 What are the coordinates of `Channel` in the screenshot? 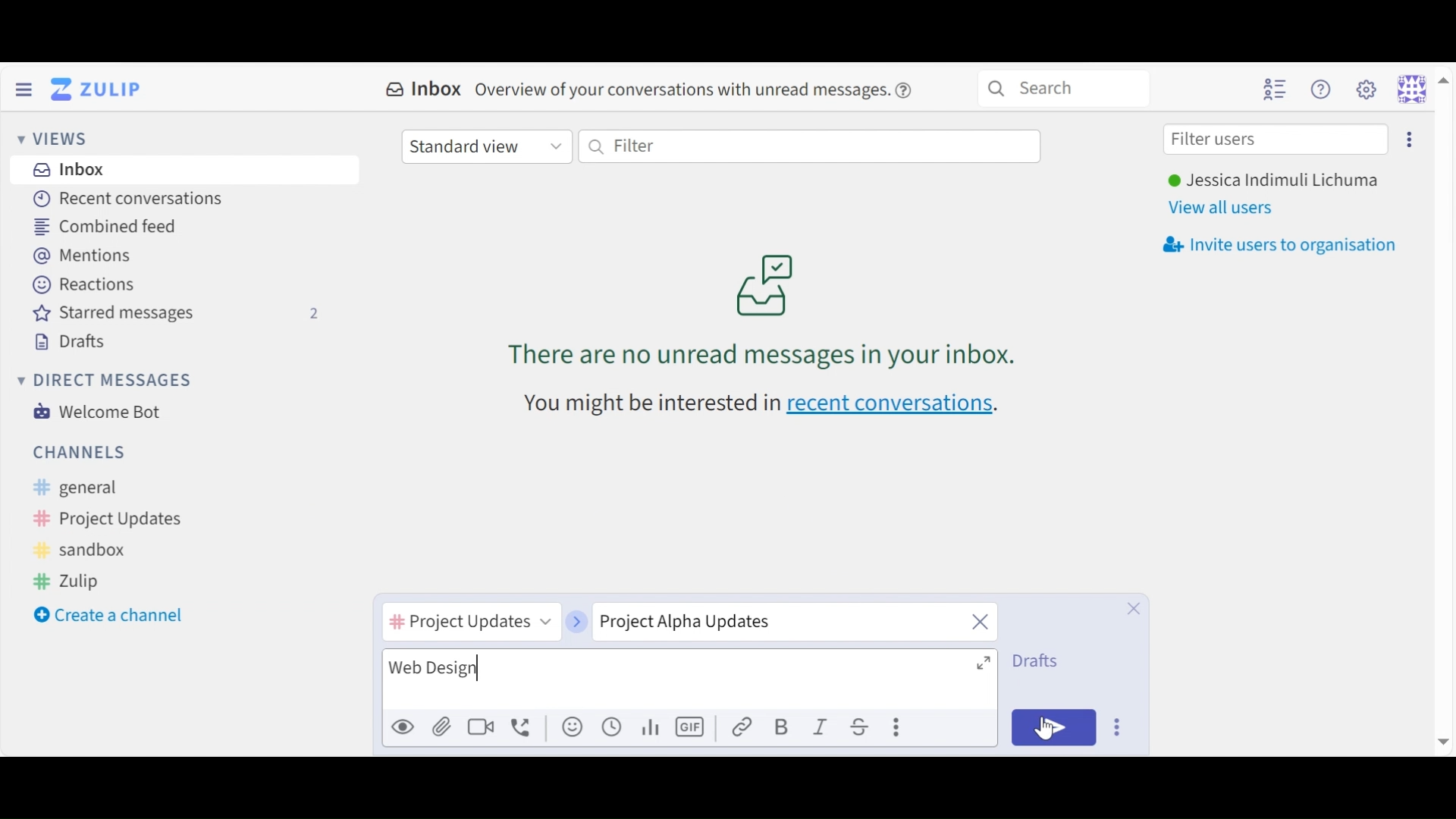 It's located at (80, 451).